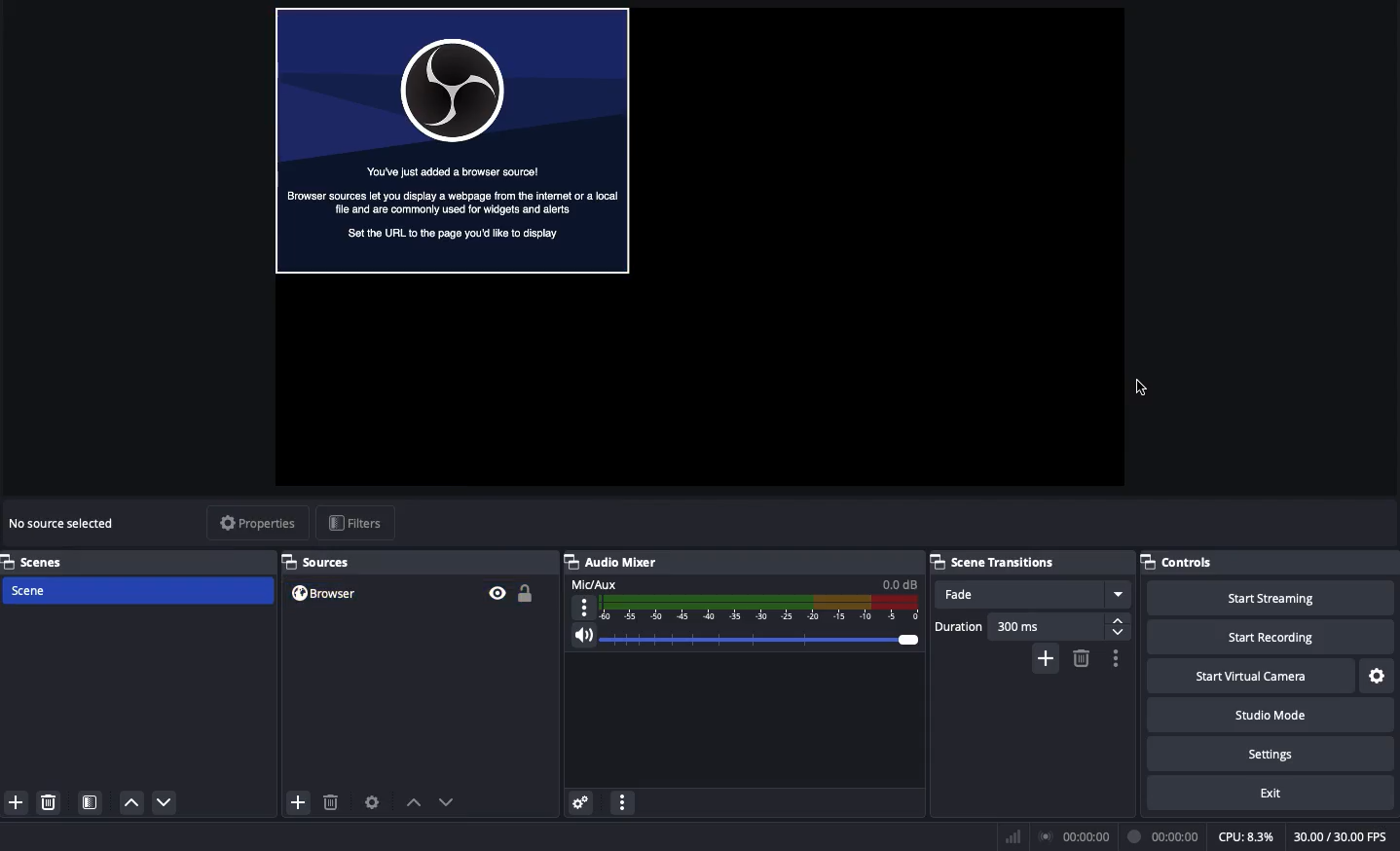 This screenshot has width=1400, height=851. What do you see at coordinates (743, 637) in the screenshot?
I see `Volume` at bounding box center [743, 637].